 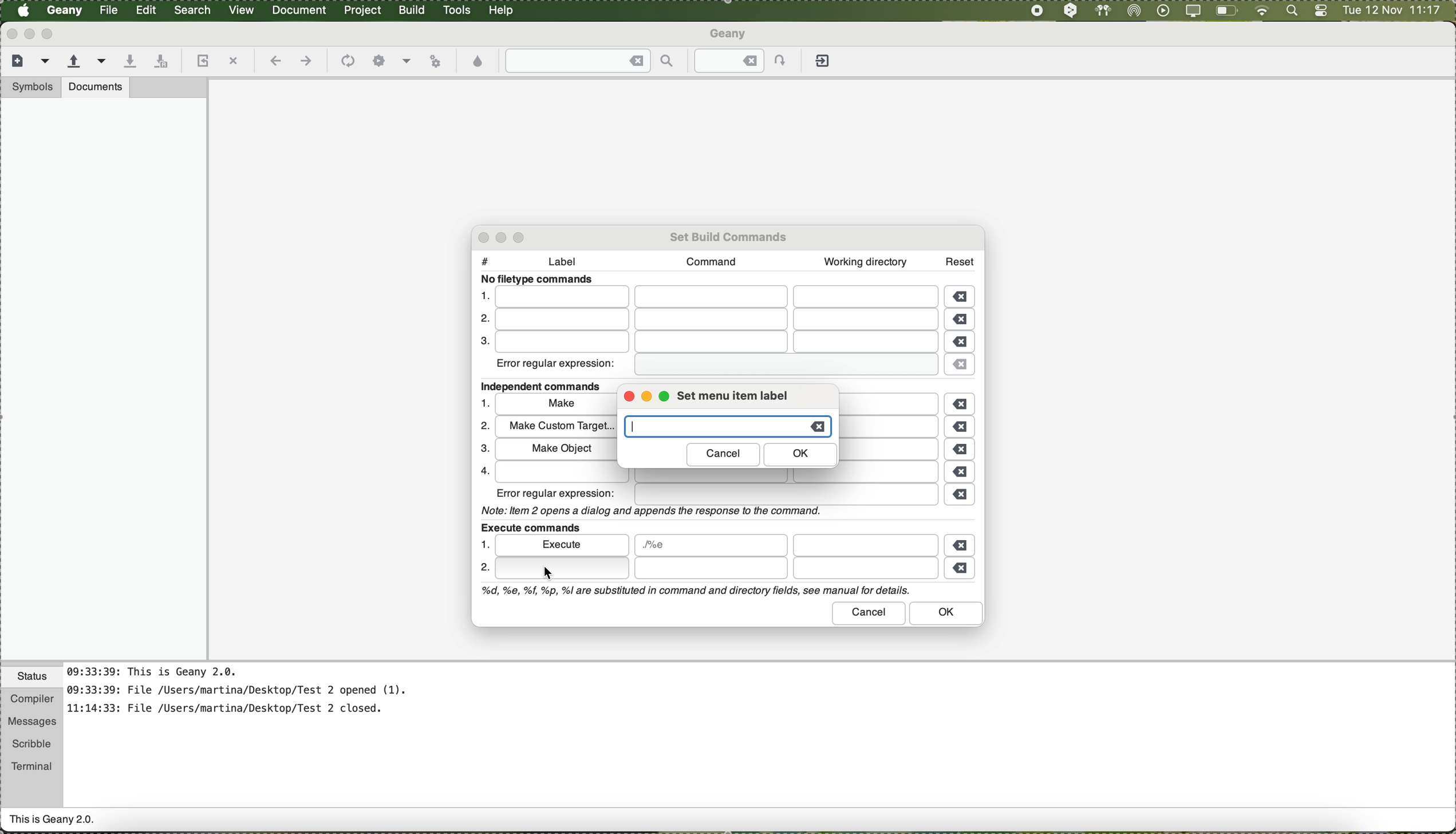 What do you see at coordinates (730, 35) in the screenshot?
I see `Geany` at bounding box center [730, 35].